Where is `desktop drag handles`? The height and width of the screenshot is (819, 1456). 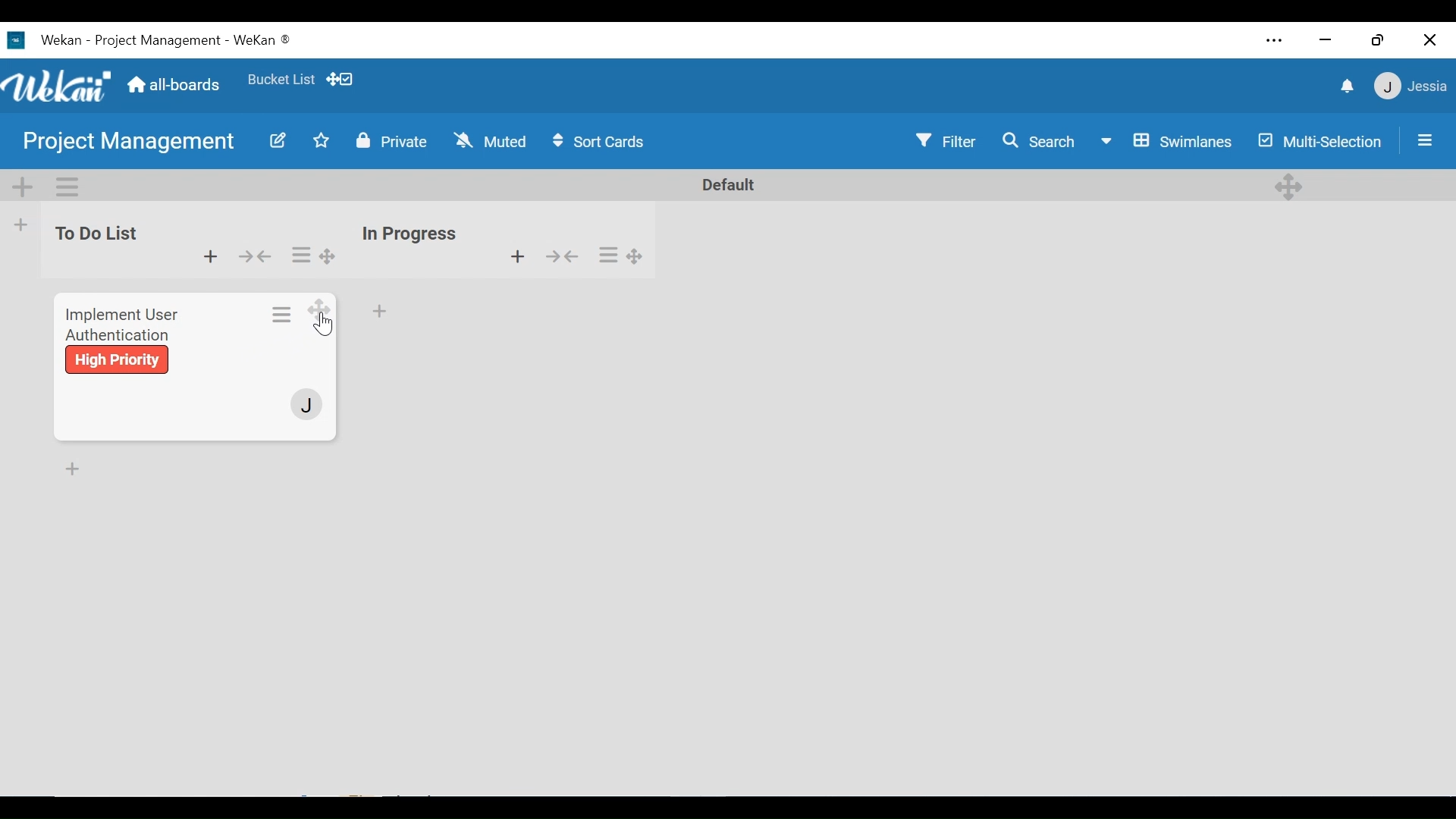 desktop drag handles is located at coordinates (328, 256).